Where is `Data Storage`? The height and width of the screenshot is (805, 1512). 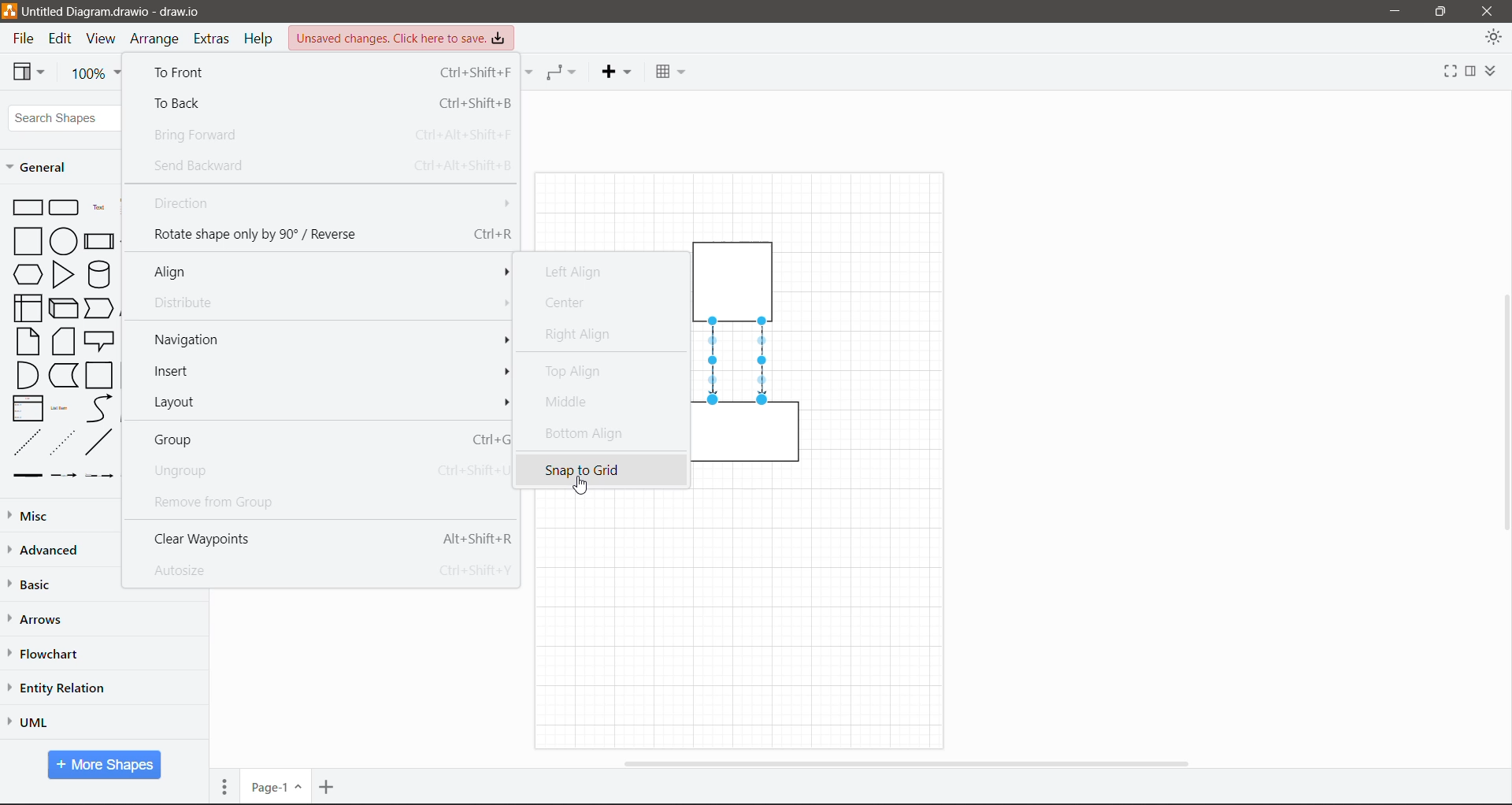
Data Storage is located at coordinates (62, 375).